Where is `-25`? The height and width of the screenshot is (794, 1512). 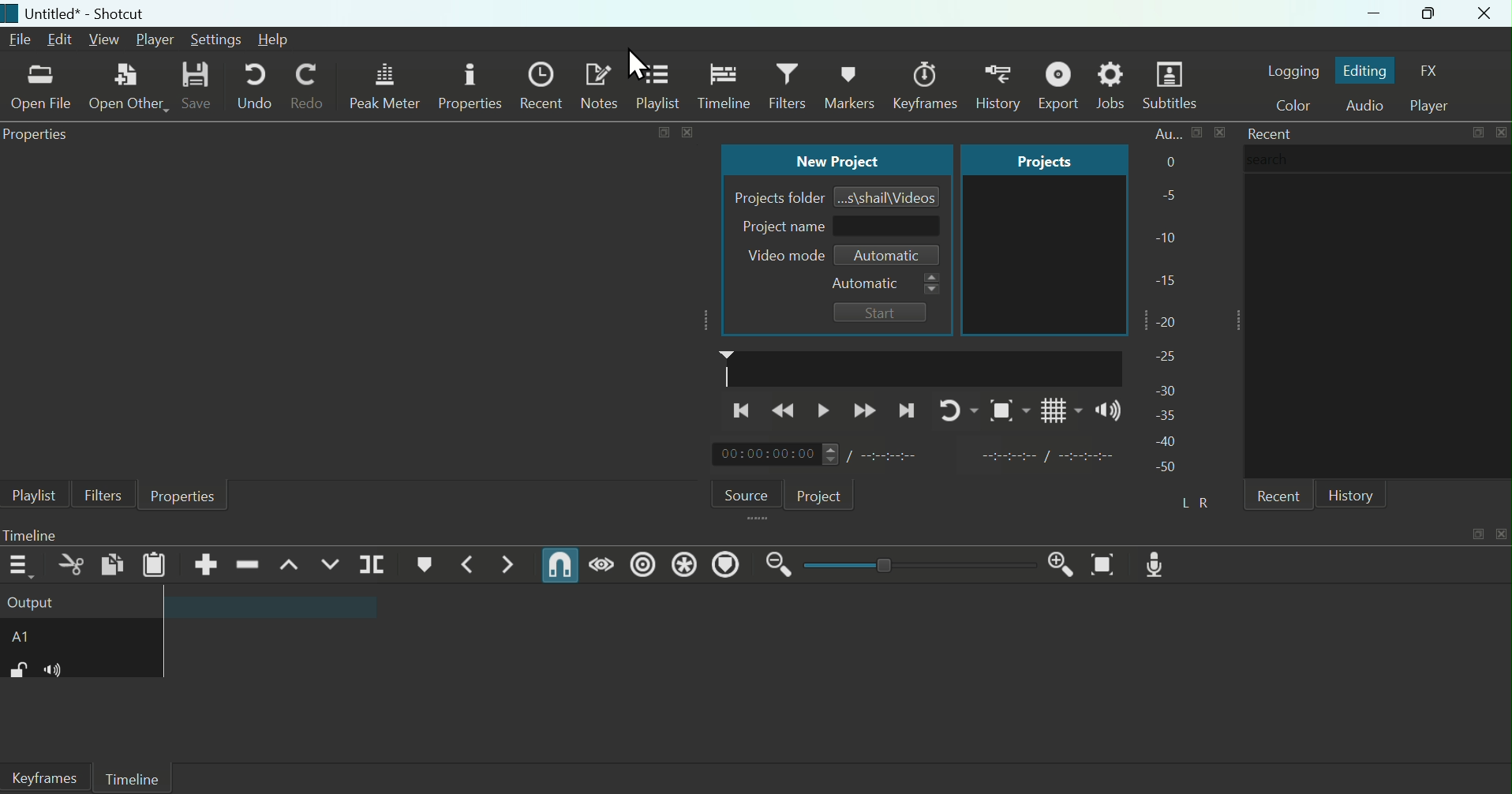 -25 is located at coordinates (1166, 357).